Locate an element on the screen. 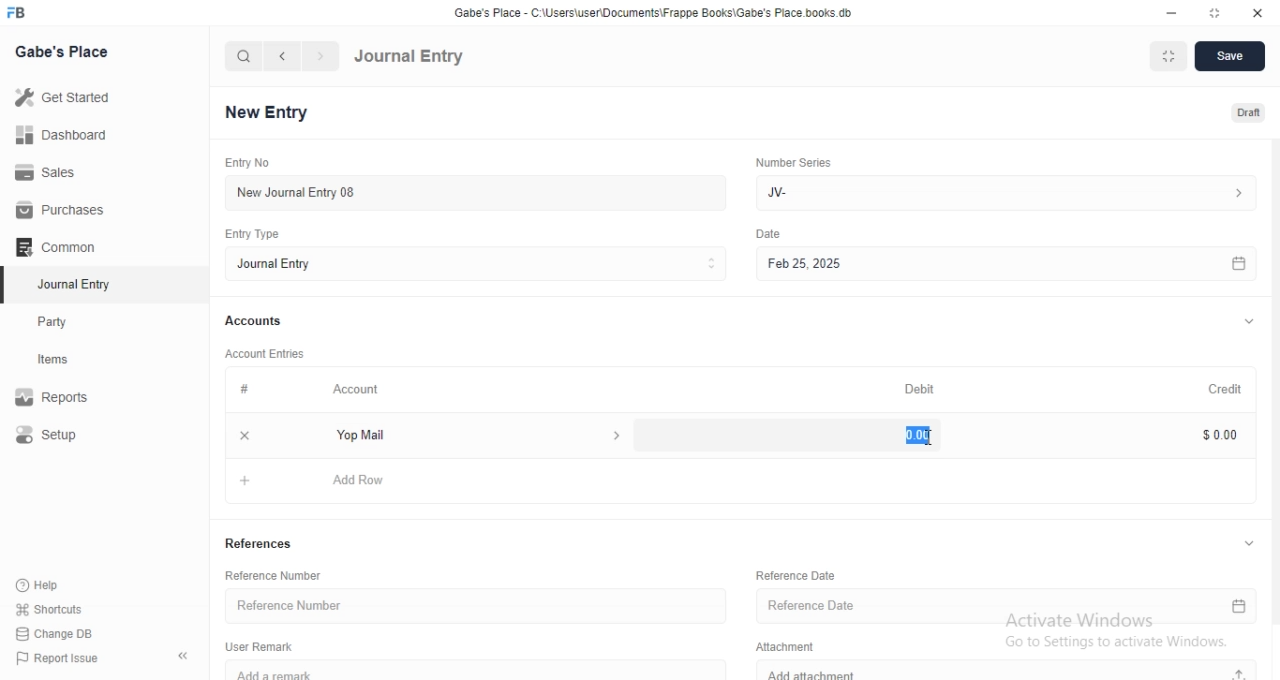 The height and width of the screenshot is (680, 1280). Gabe's Place is located at coordinates (61, 52).